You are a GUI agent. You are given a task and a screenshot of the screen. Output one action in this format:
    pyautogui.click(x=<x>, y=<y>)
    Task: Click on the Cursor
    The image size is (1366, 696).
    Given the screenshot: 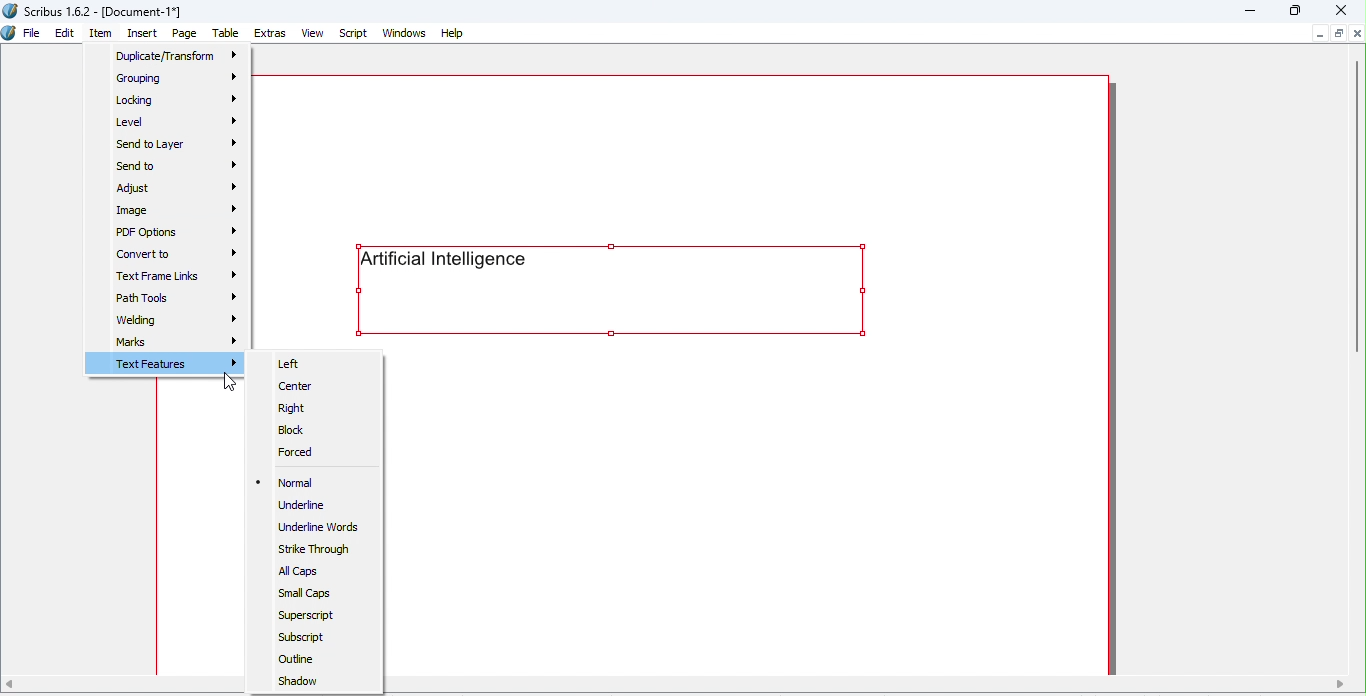 What is the action you would take?
    pyautogui.click(x=227, y=386)
    